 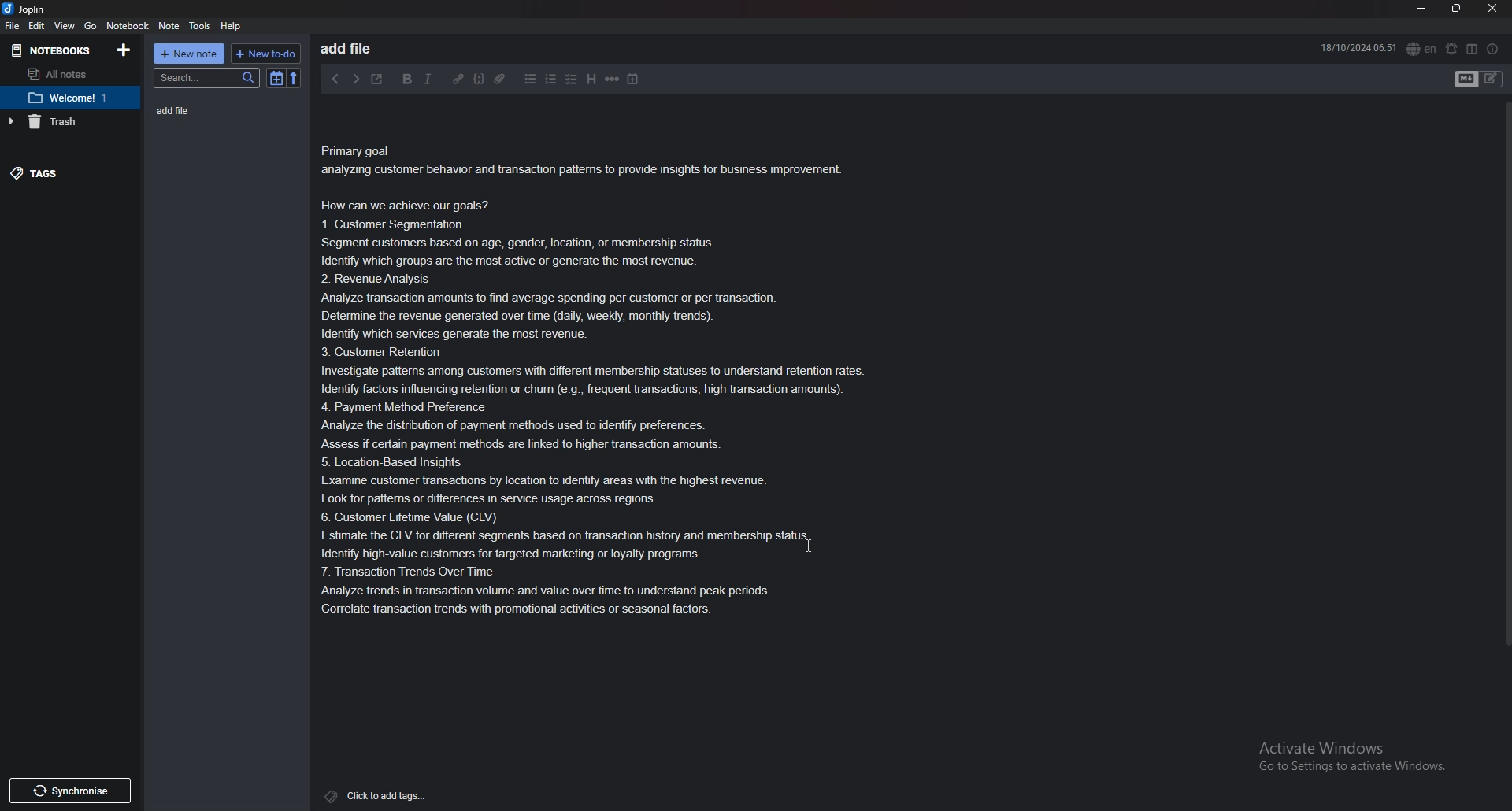 I want to click on Set alarm, so click(x=1451, y=48).